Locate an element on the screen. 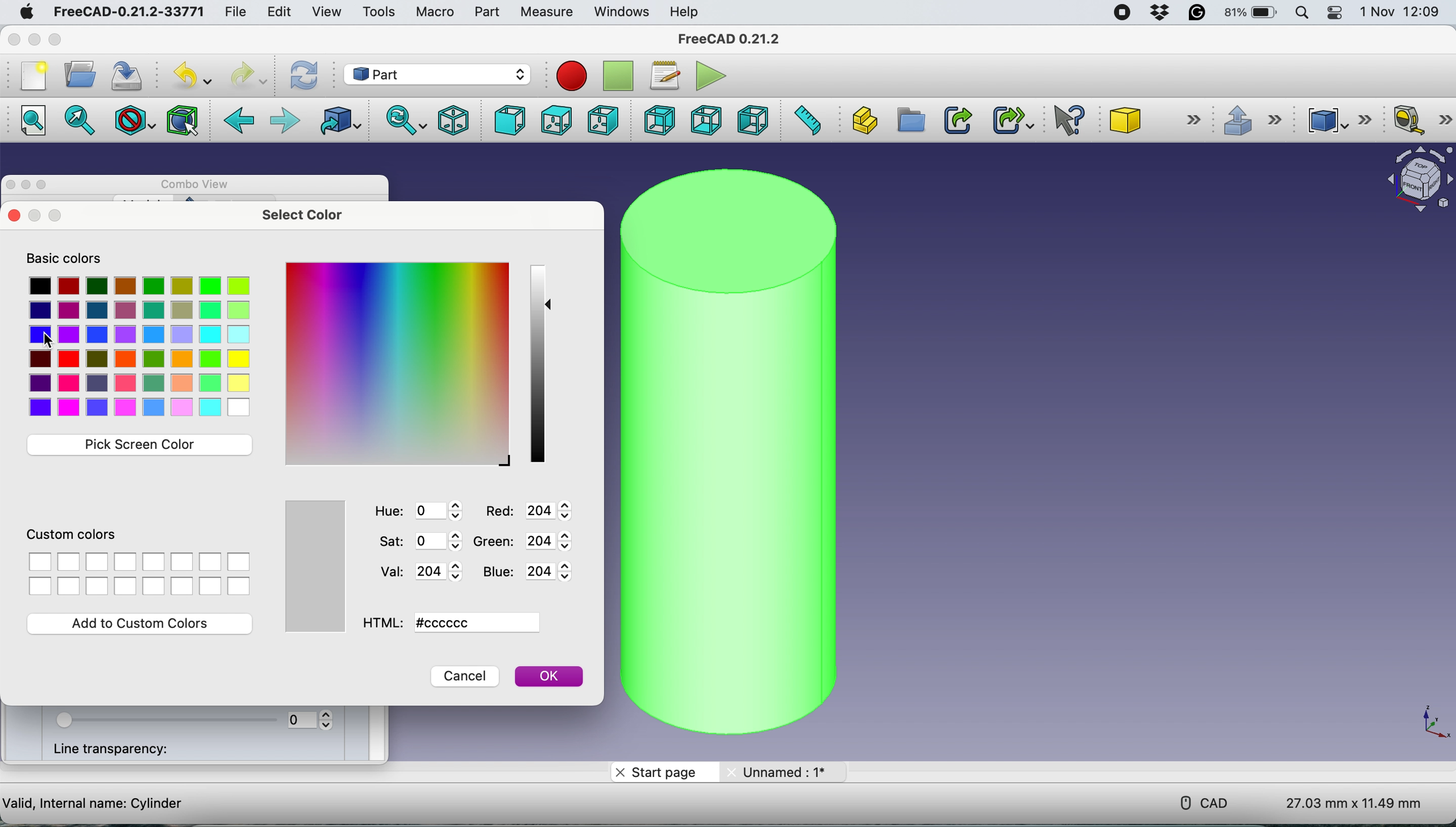 This screenshot has width=1456, height=827. make link is located at coordinates (958, 122).